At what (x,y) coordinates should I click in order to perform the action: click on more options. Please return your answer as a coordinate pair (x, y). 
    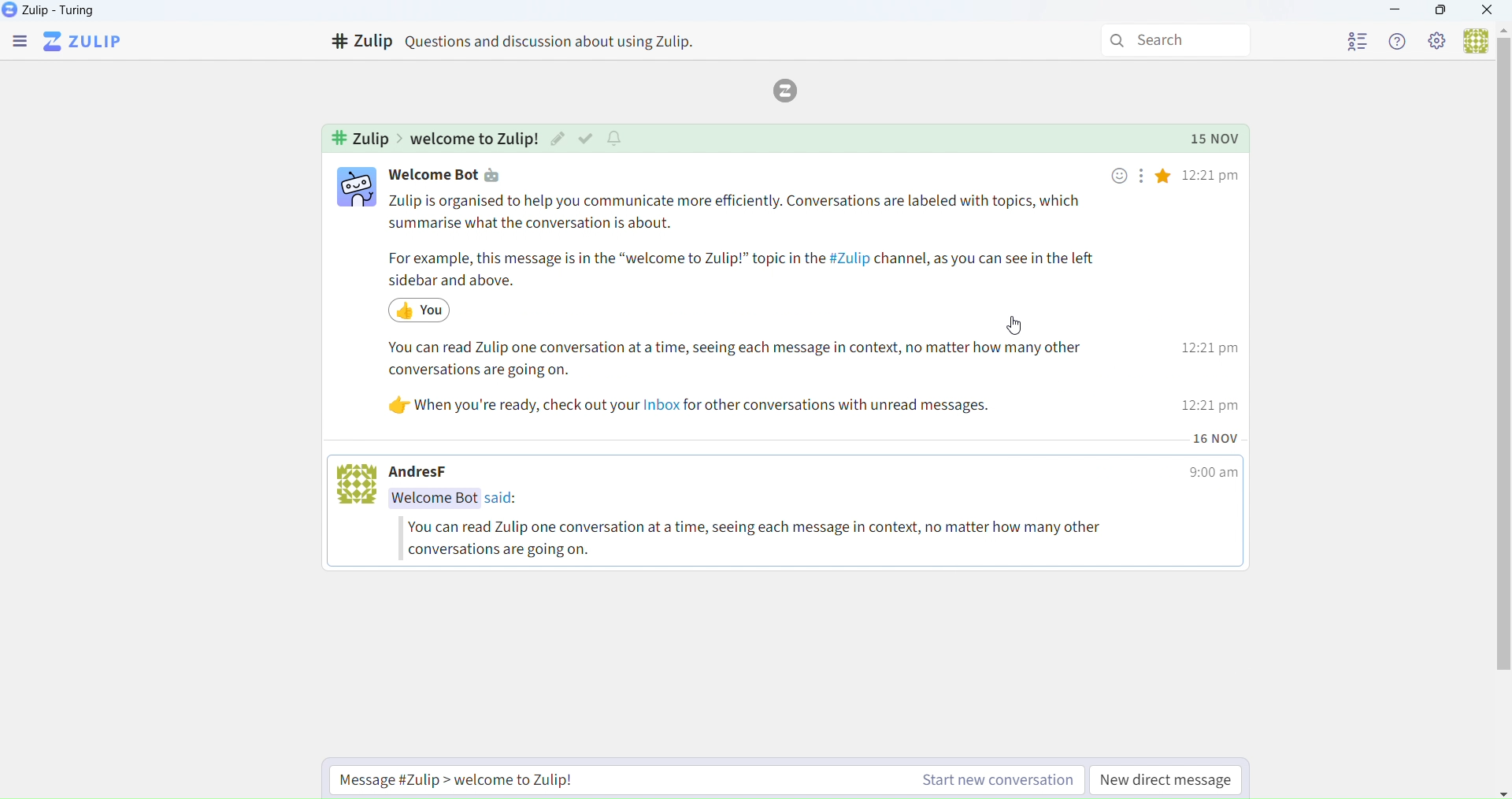
    Looking at the image, I should click on (1140, 179).